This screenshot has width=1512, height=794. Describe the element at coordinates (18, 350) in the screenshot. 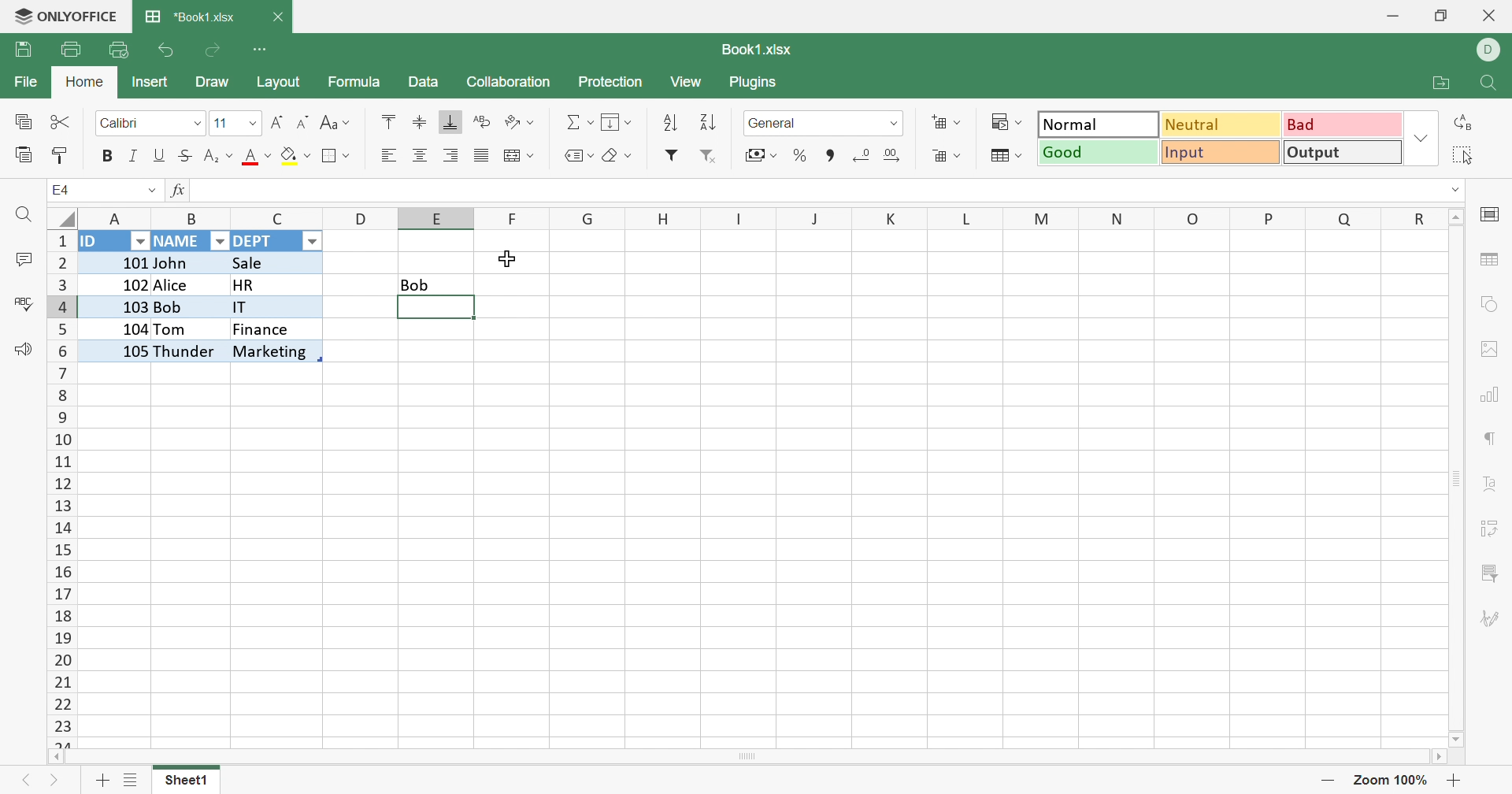

I see `Feedback & Support` at that location.